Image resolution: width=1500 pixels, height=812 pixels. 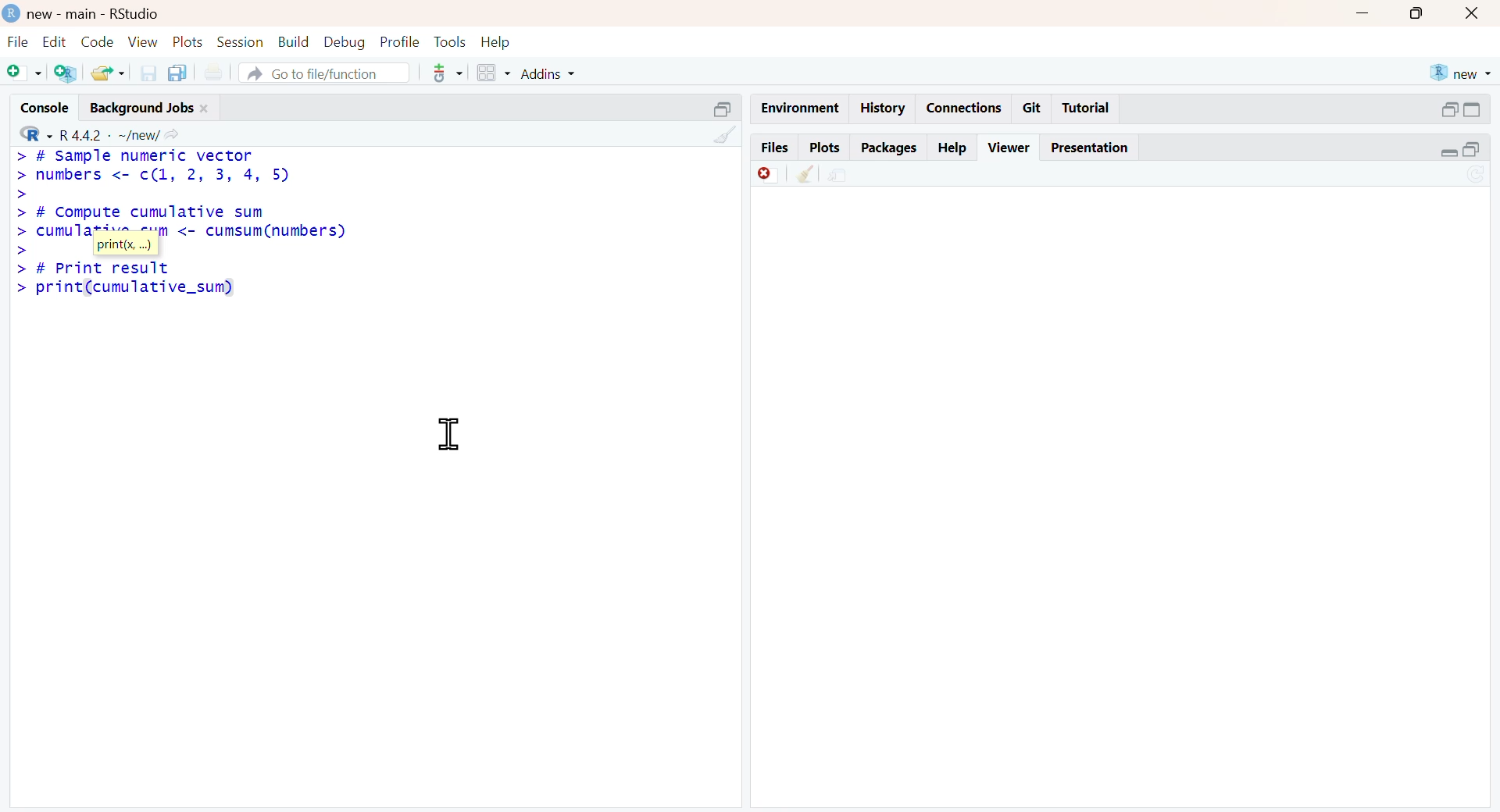 What do you see at coordinates (205, 109) in the screenshot?
I see `close` at bounding box center [205, 109].